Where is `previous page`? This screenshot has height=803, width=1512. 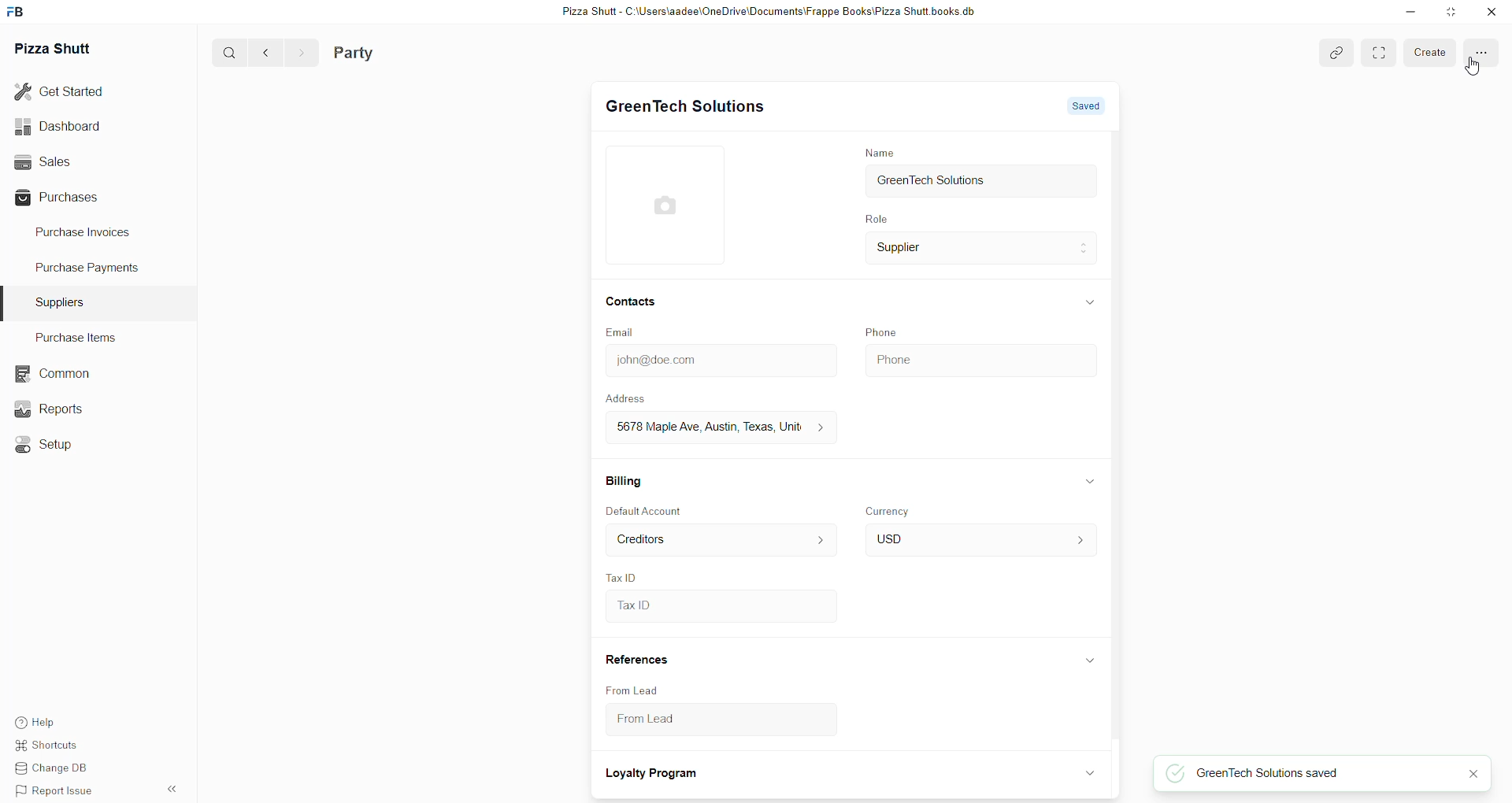
previous page is located at coordinates (263, 53).